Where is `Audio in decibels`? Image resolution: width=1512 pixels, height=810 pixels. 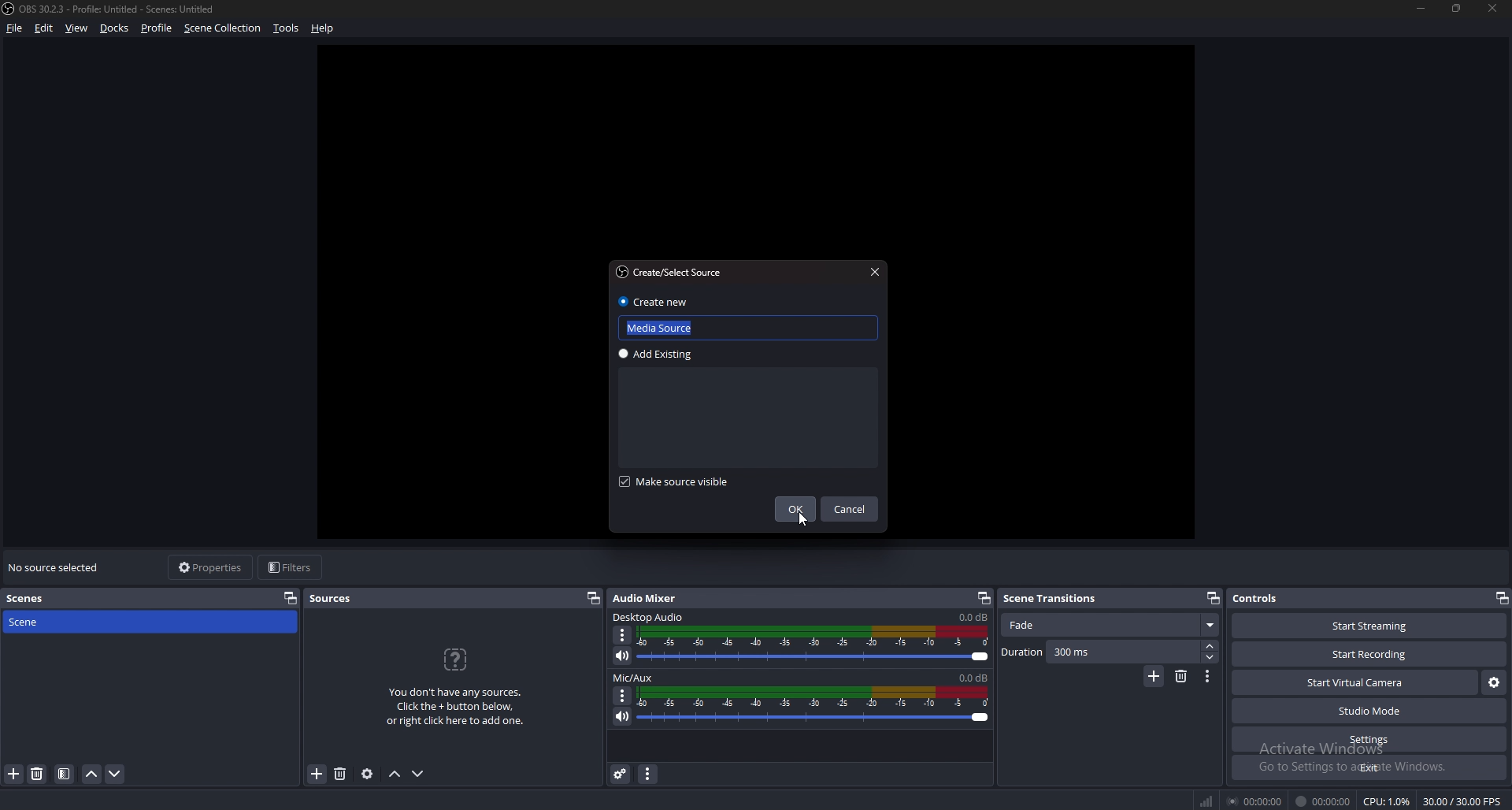
Audio in decibels is located at coordinates (972, 616).